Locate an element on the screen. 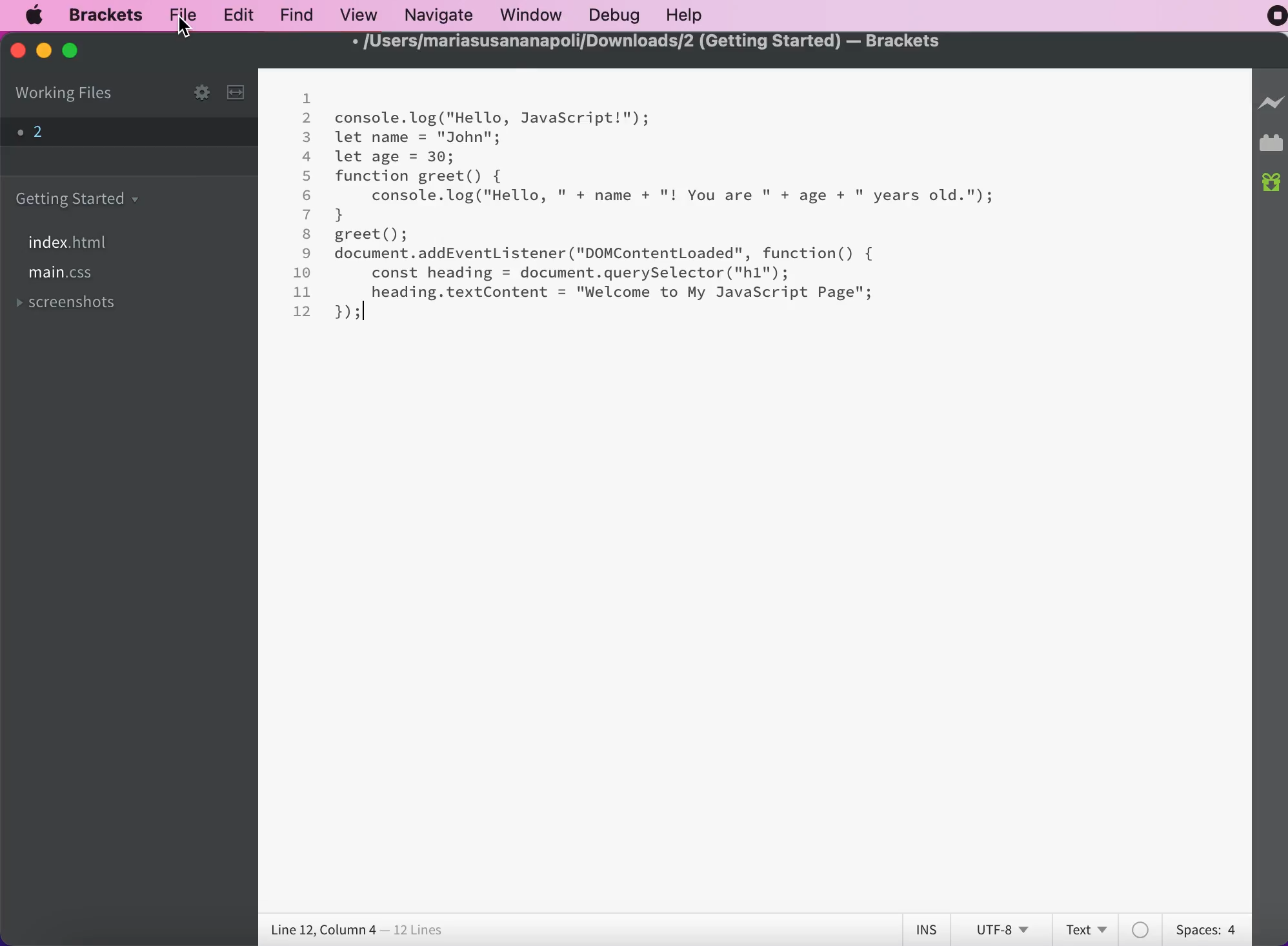 The image size is (1288, 946). mac logo is located at coordinates (37, 15).